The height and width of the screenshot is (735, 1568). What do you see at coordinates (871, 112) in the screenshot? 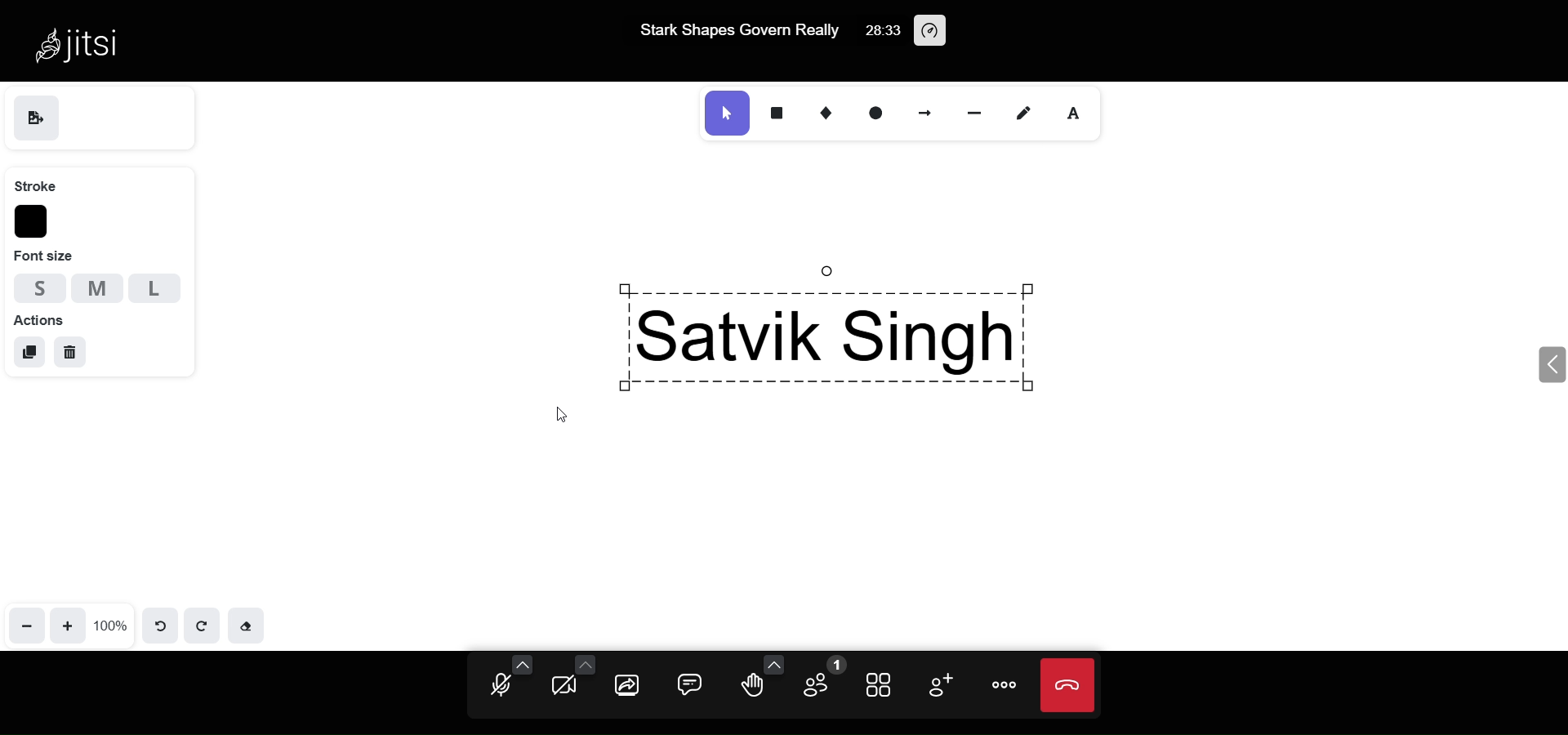
I see `ellipse` at bounding box center [871, 112].